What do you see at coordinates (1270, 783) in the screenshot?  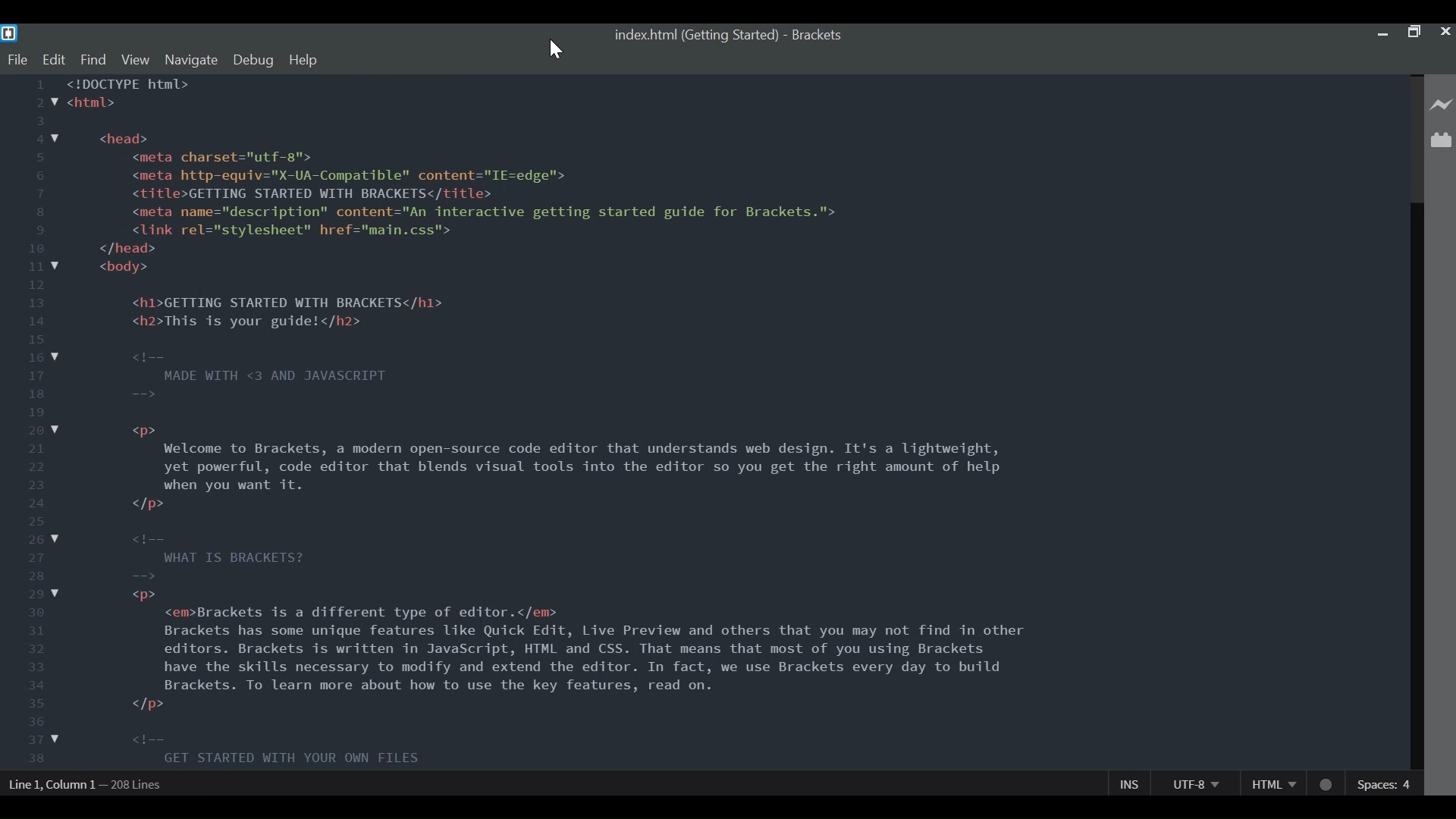 I see `HTML` at bounding box center [1270, 783].